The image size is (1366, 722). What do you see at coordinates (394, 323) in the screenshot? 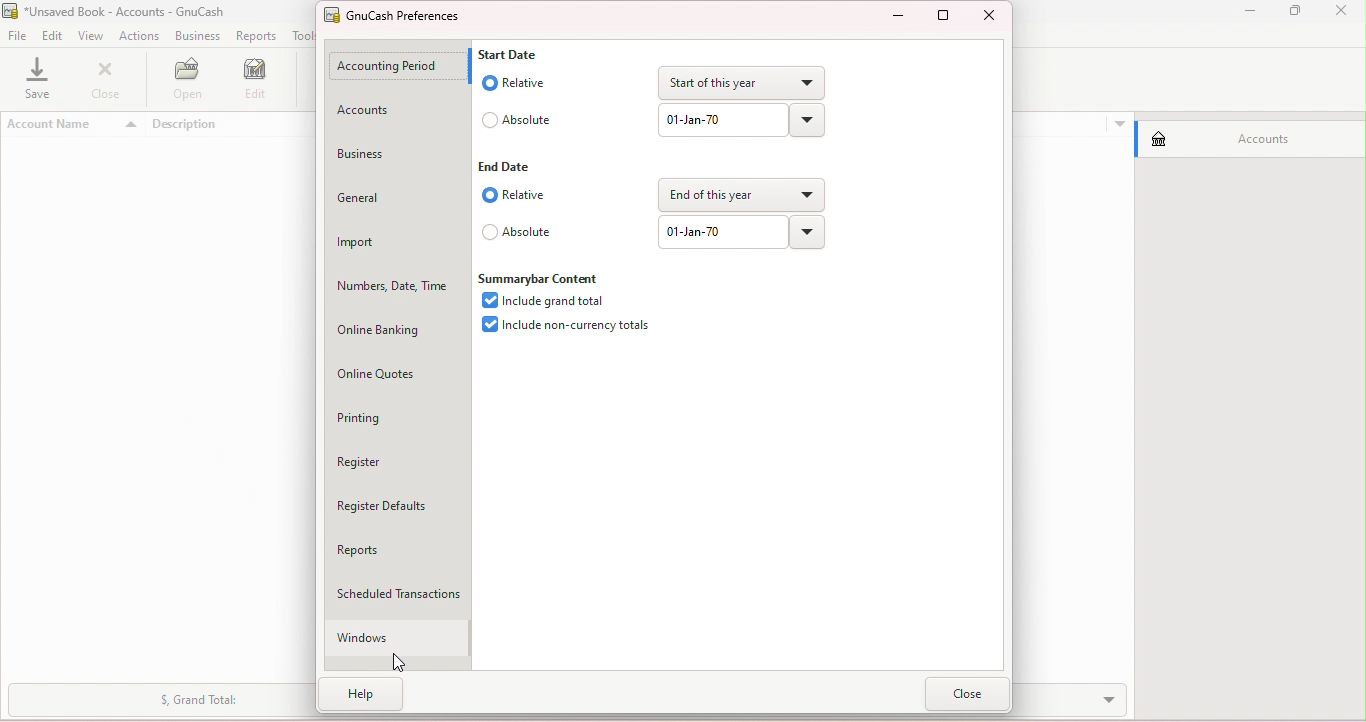
I see `Online banking` at bounding box center [394, 323].